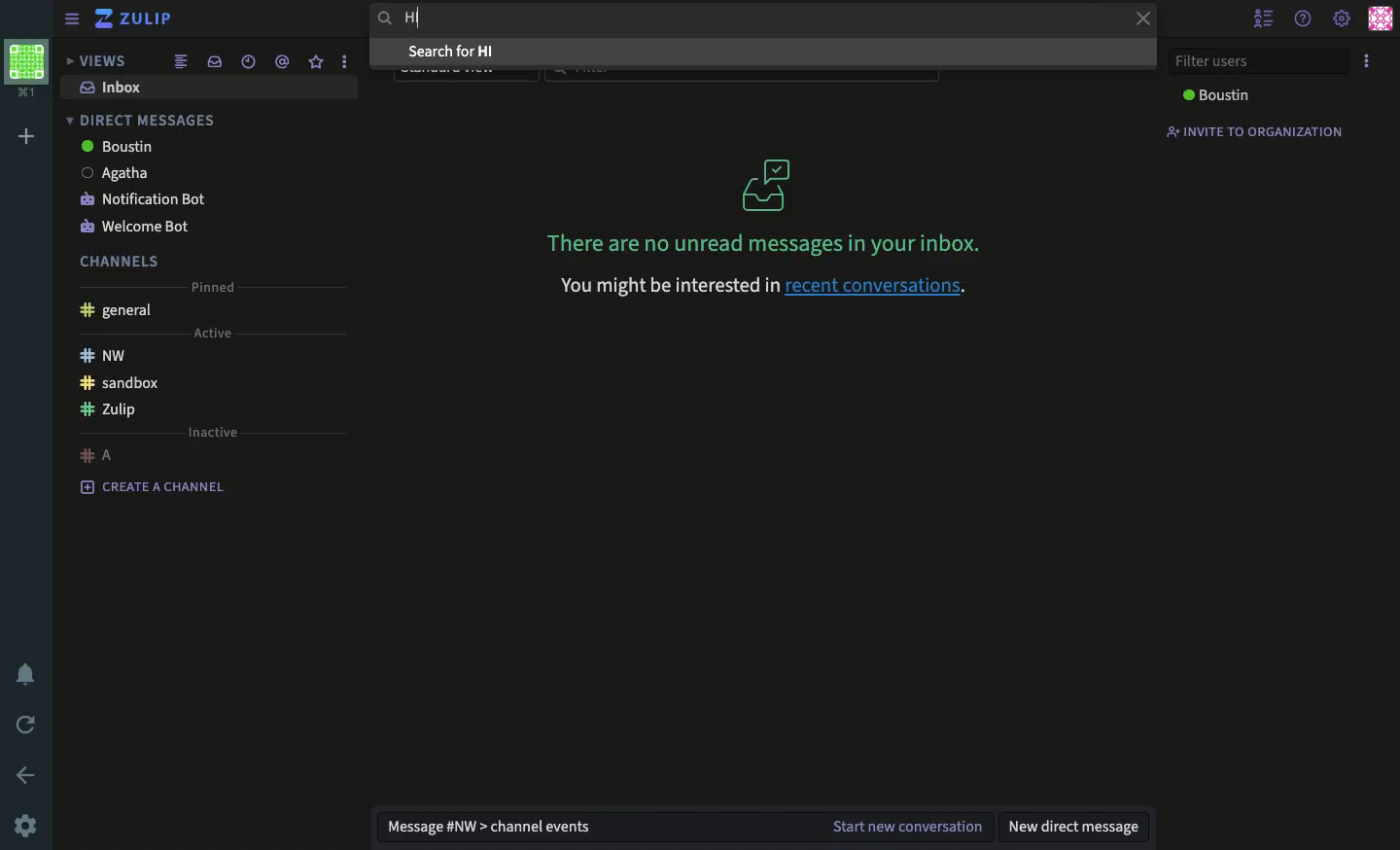  What do you see at coordinates (209, 334) in the screenshot?
I see `active` at bounding box center [209, 334].